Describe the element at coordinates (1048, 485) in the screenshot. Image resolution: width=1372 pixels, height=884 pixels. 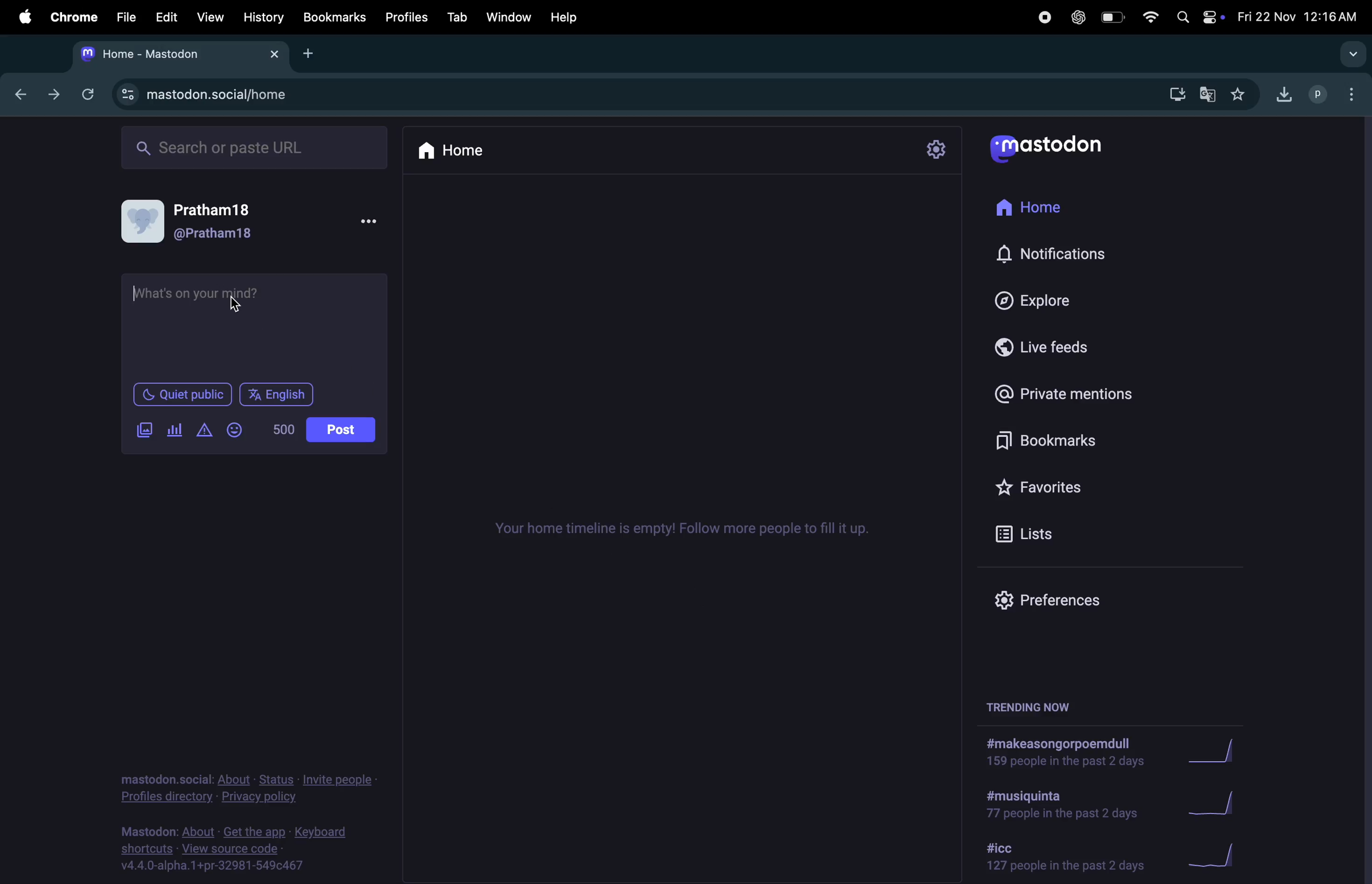
I see `favourites` at that location.